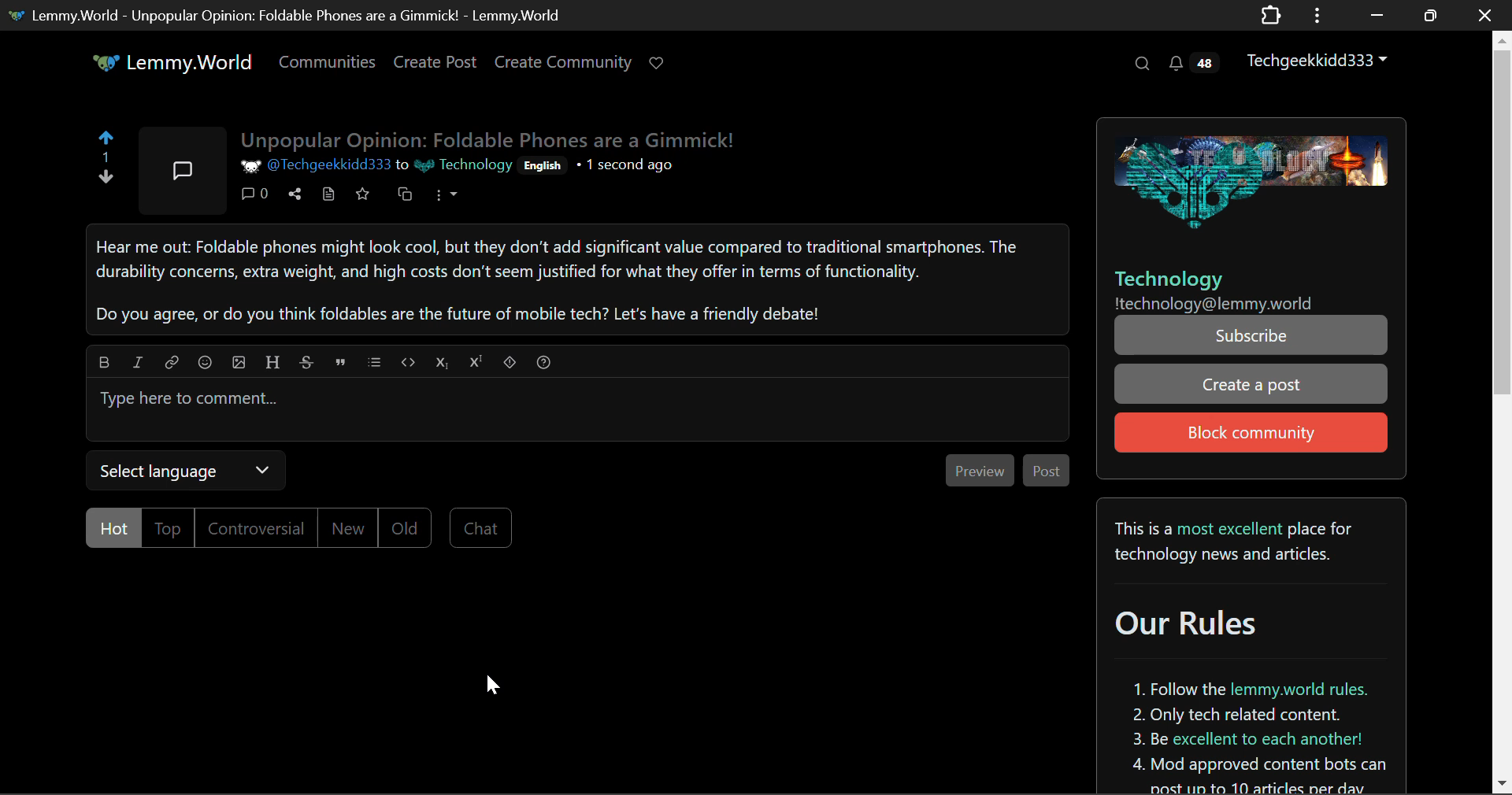 Image resolution: width=1512 pixels, height=795 pixels. Describe the element at coordinates (297, 195) in the screenshot. I see `Share` at that location.